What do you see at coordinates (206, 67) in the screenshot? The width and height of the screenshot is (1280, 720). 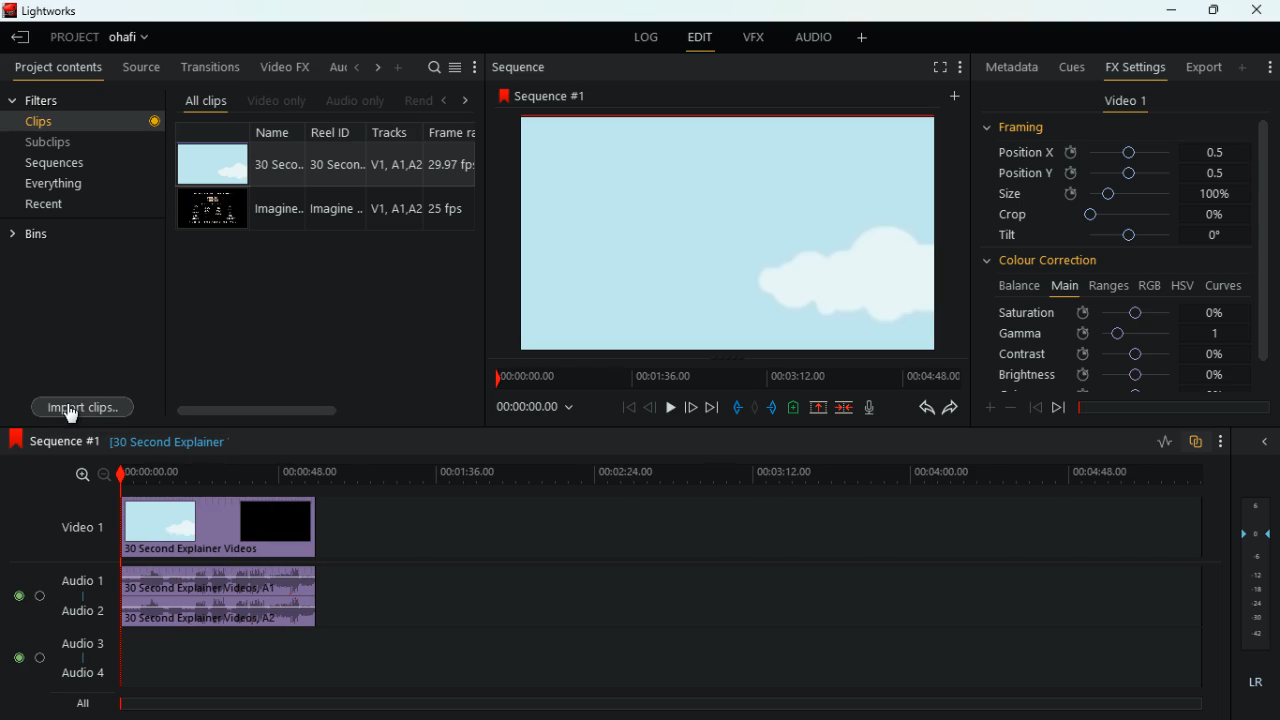 I see `transitions` at bounding box center [206, 67].